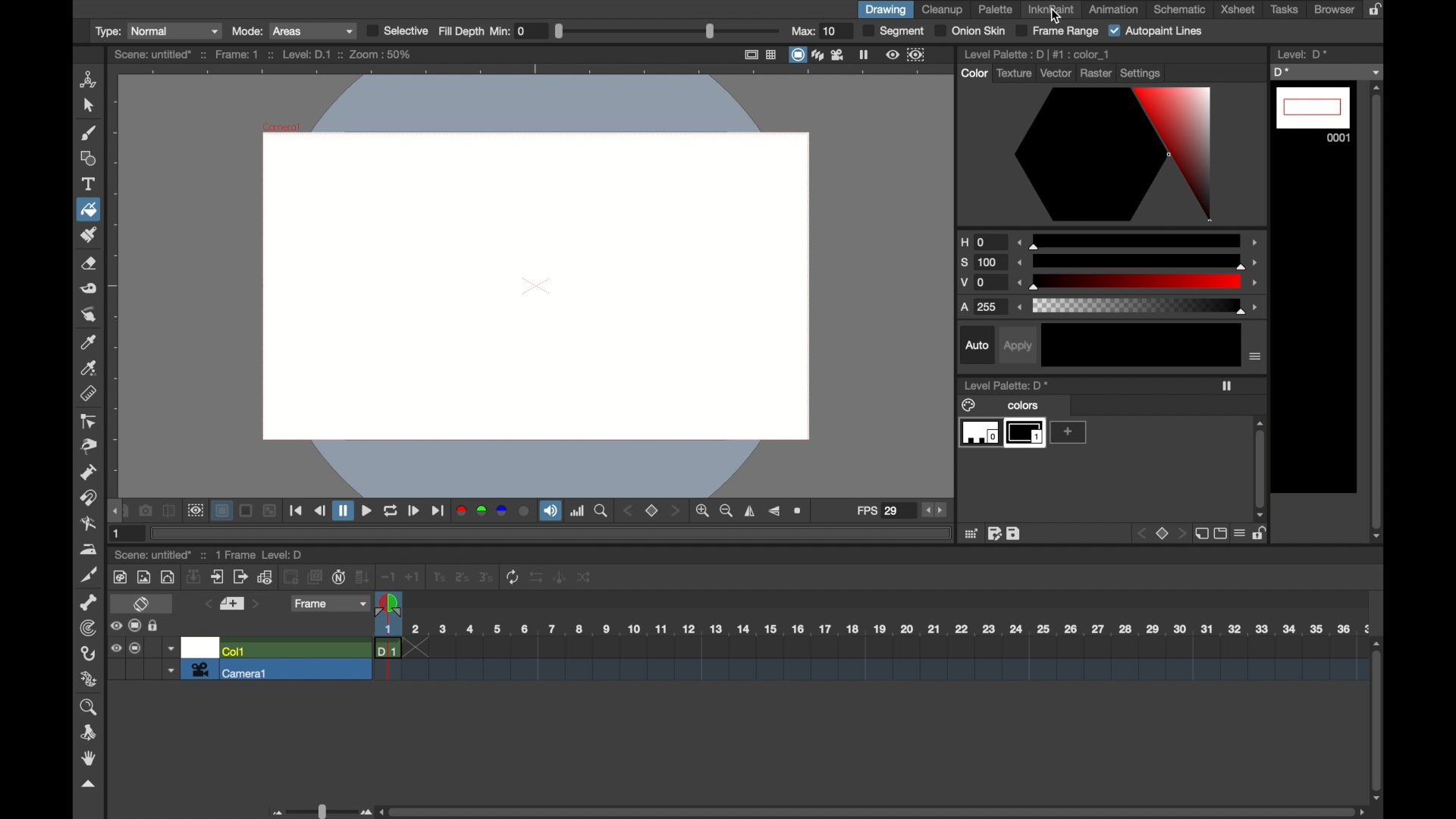 The image size is (1456, 819). I want to click on plastic tool, so click(89, 679).